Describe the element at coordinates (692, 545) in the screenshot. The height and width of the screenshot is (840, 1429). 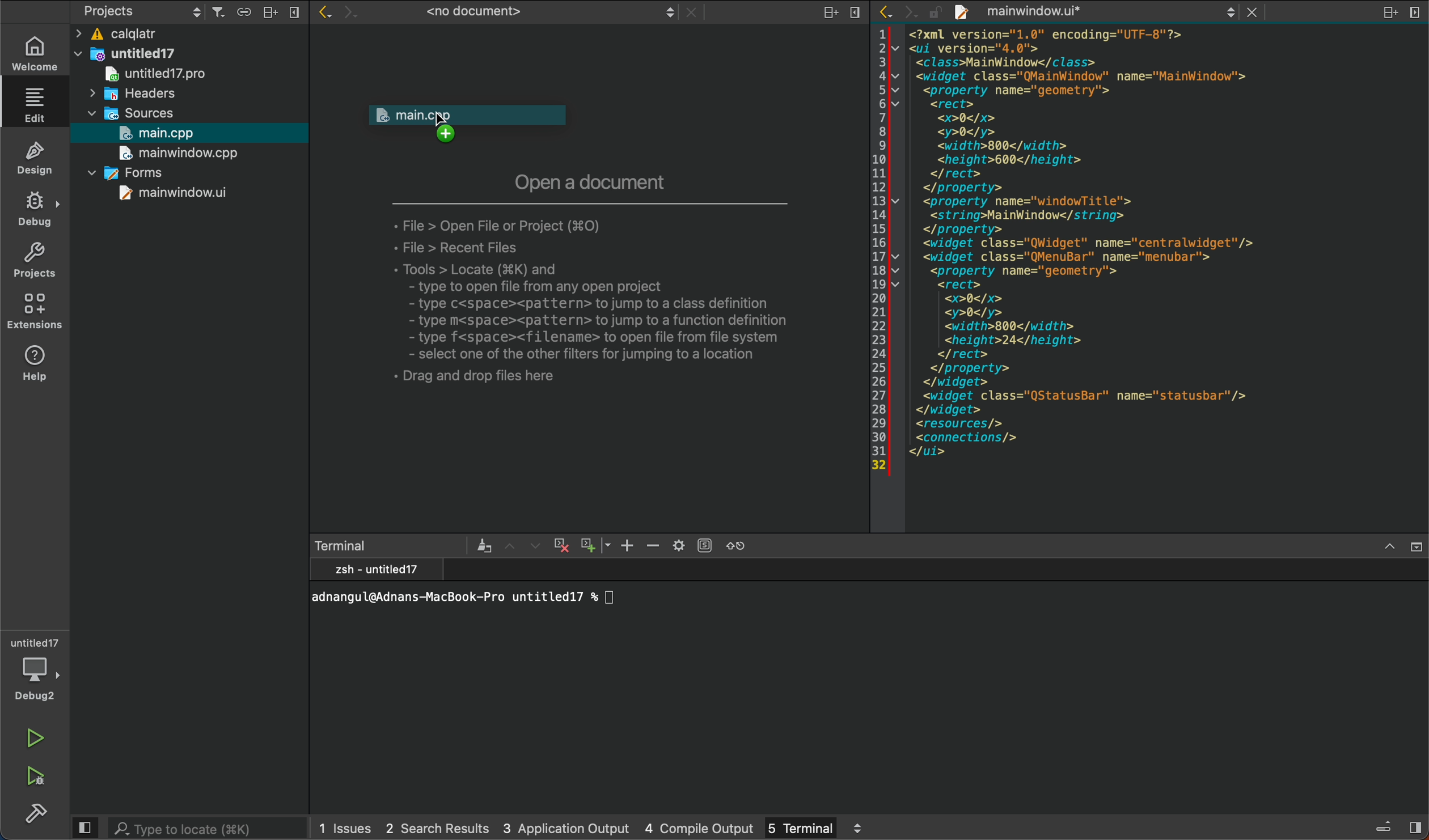
I see `setting` at that location.